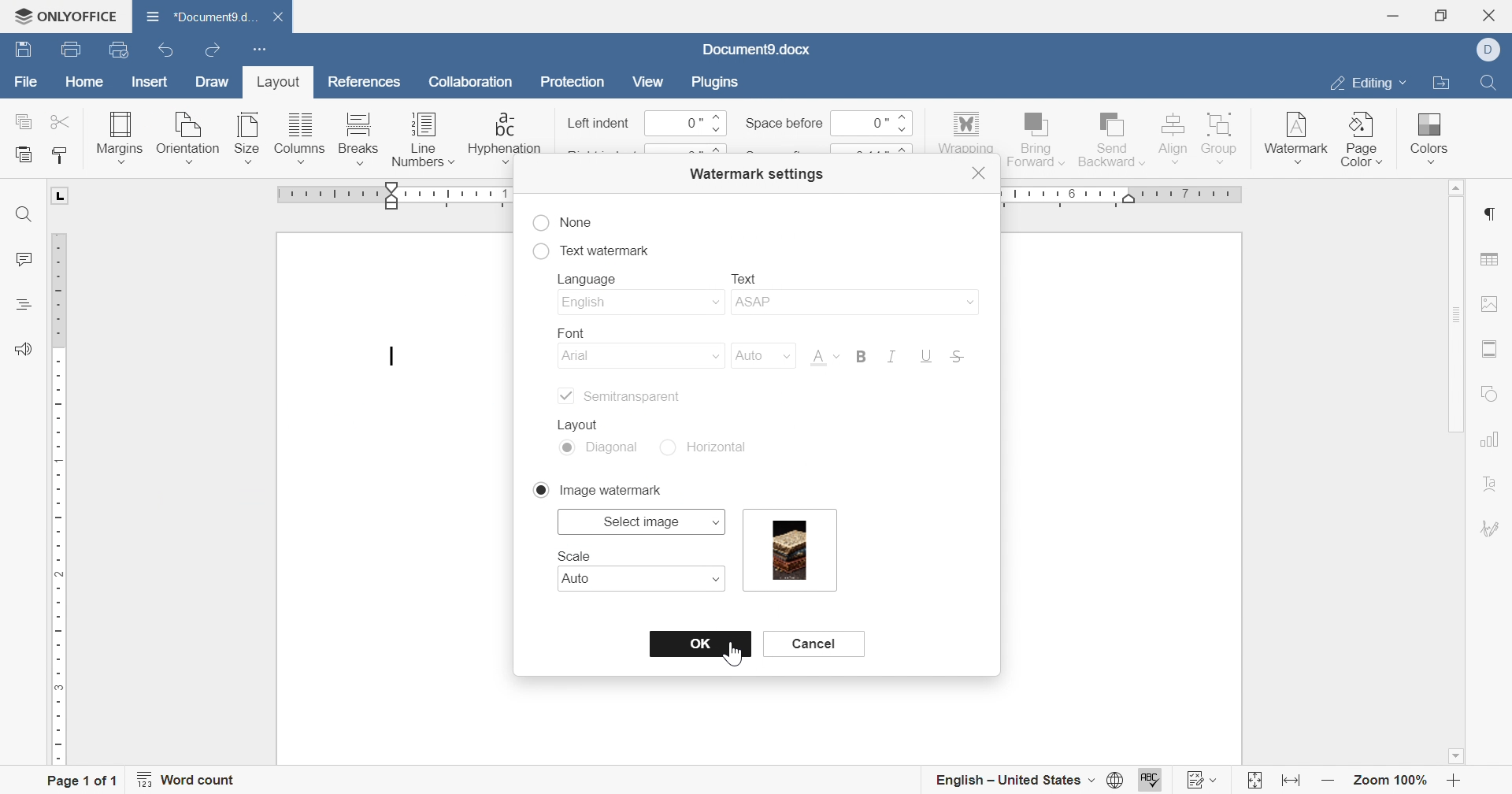  Describe the element at coordinates (246, 138) in the screenshot. I see `size` at that location.